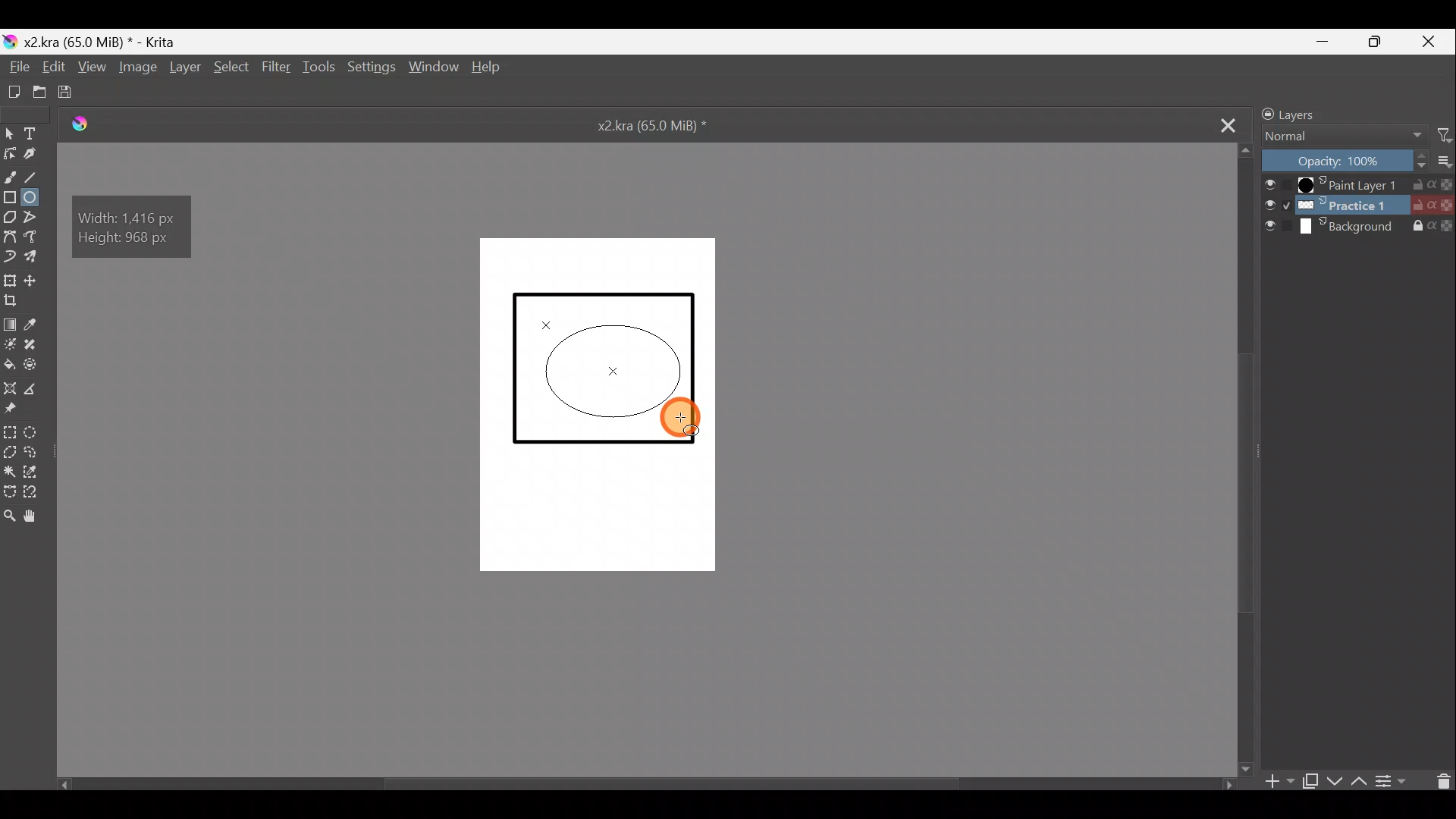 This screenshot has width=1456, height=819. What do you see at coordinates (9, 491) in the screenshot?
I see `Bezier curve selection tool` at bounding box center [9, 491].